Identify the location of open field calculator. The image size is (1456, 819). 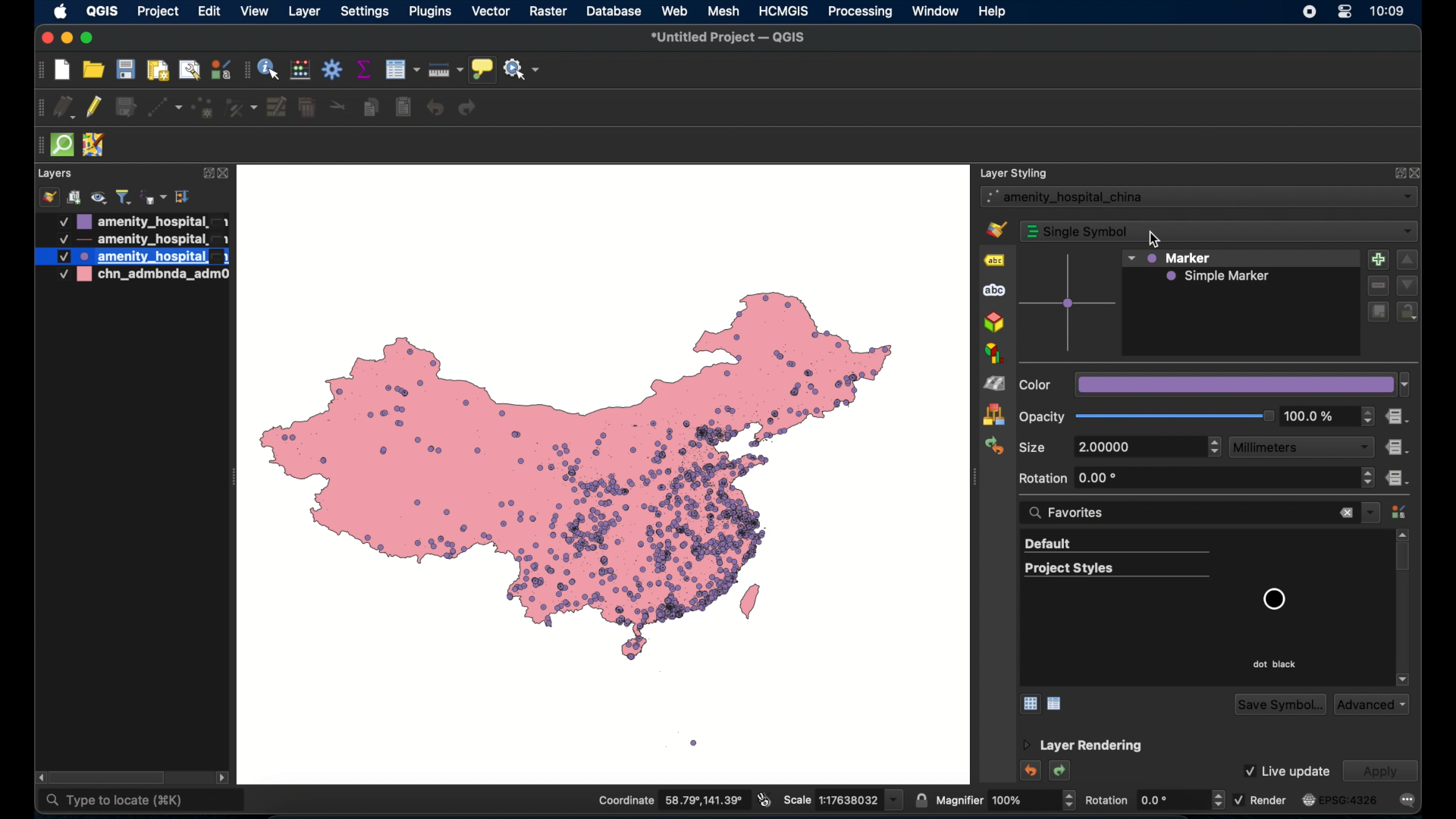
(300, 69).